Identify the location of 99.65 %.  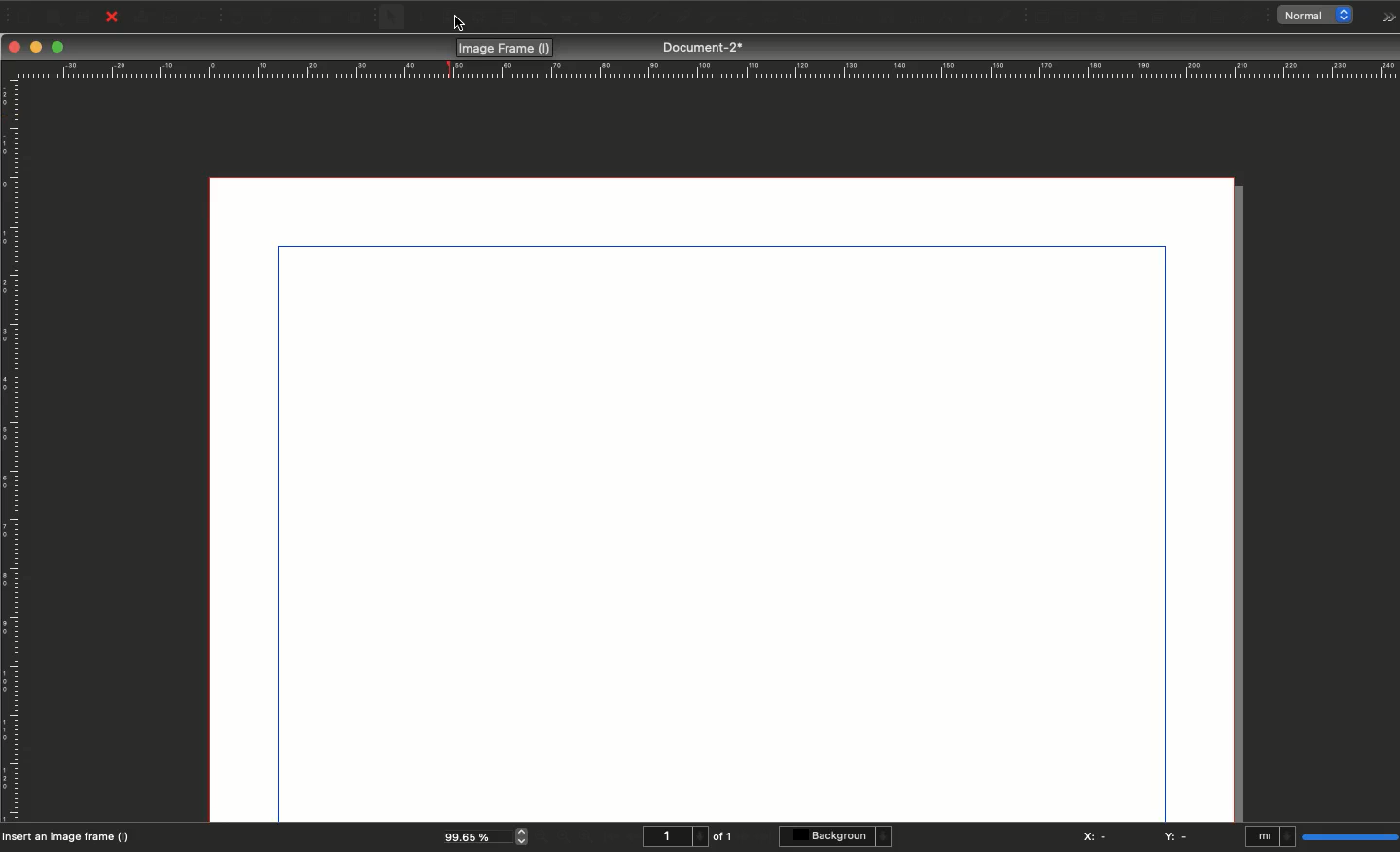
(472, 835).